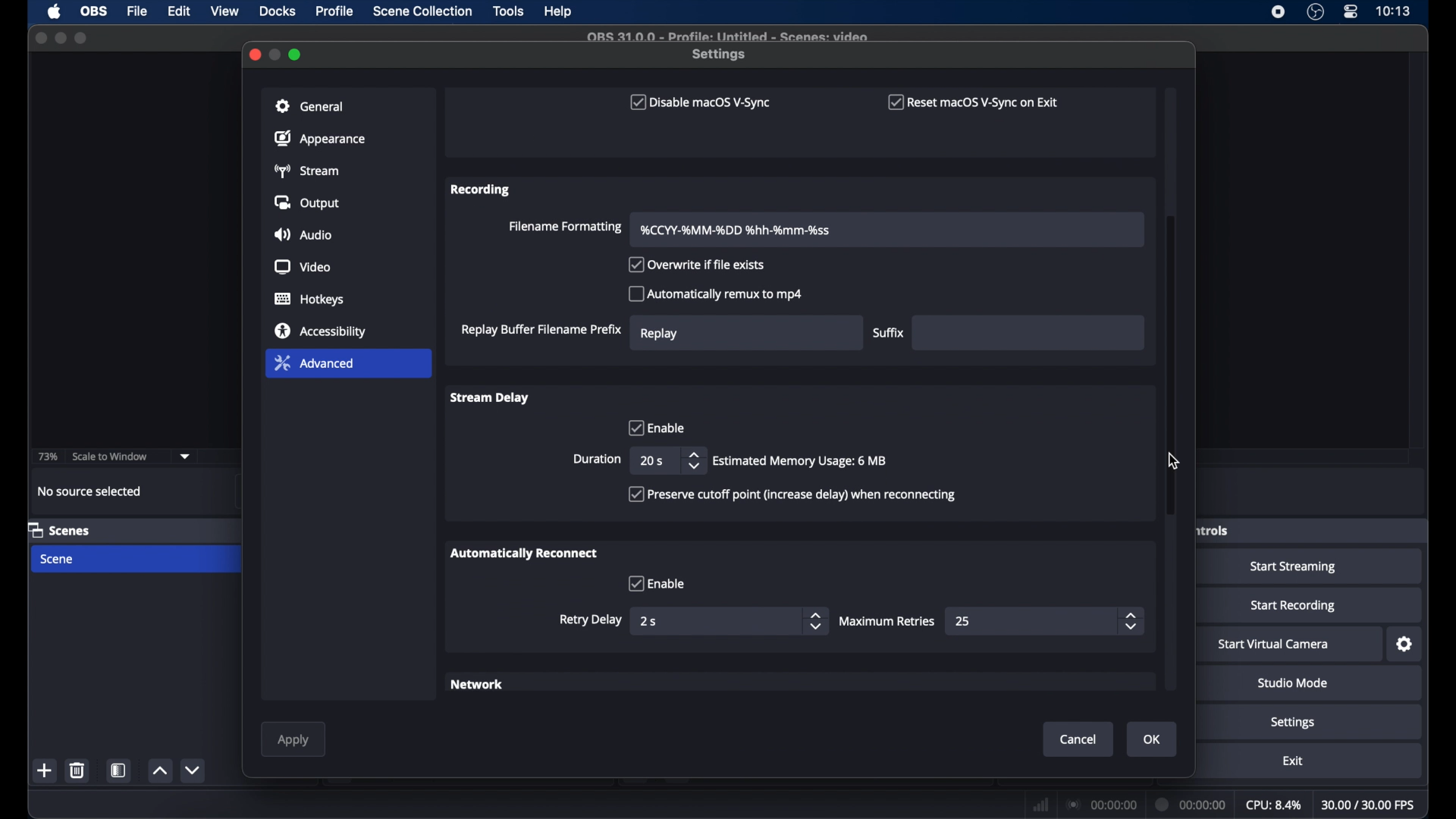 The height and width of the screenshot is (819, 1456). I want to click on retry delay, so click(591, 620).